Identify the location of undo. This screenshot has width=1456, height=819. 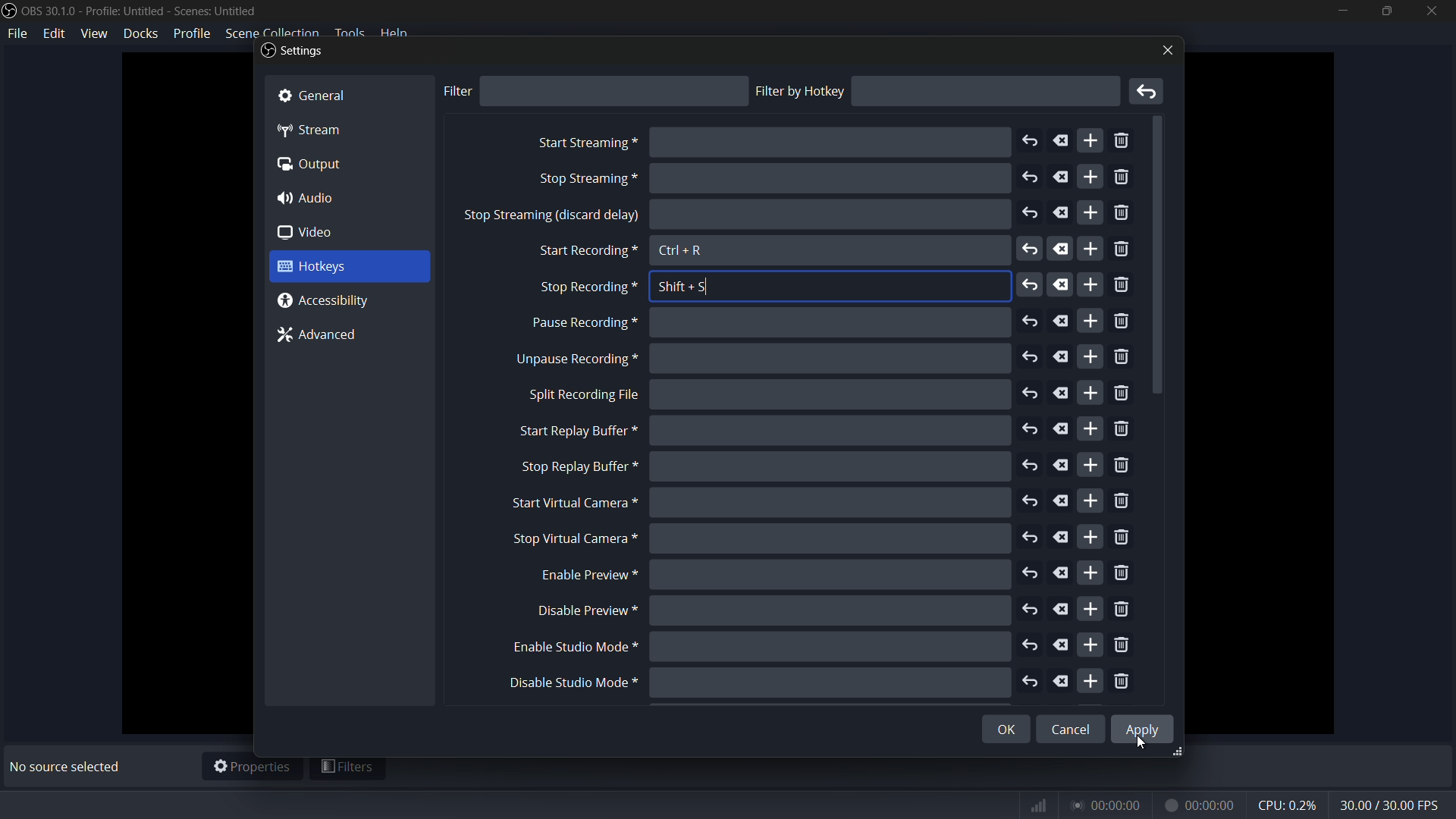
(1031, 466).